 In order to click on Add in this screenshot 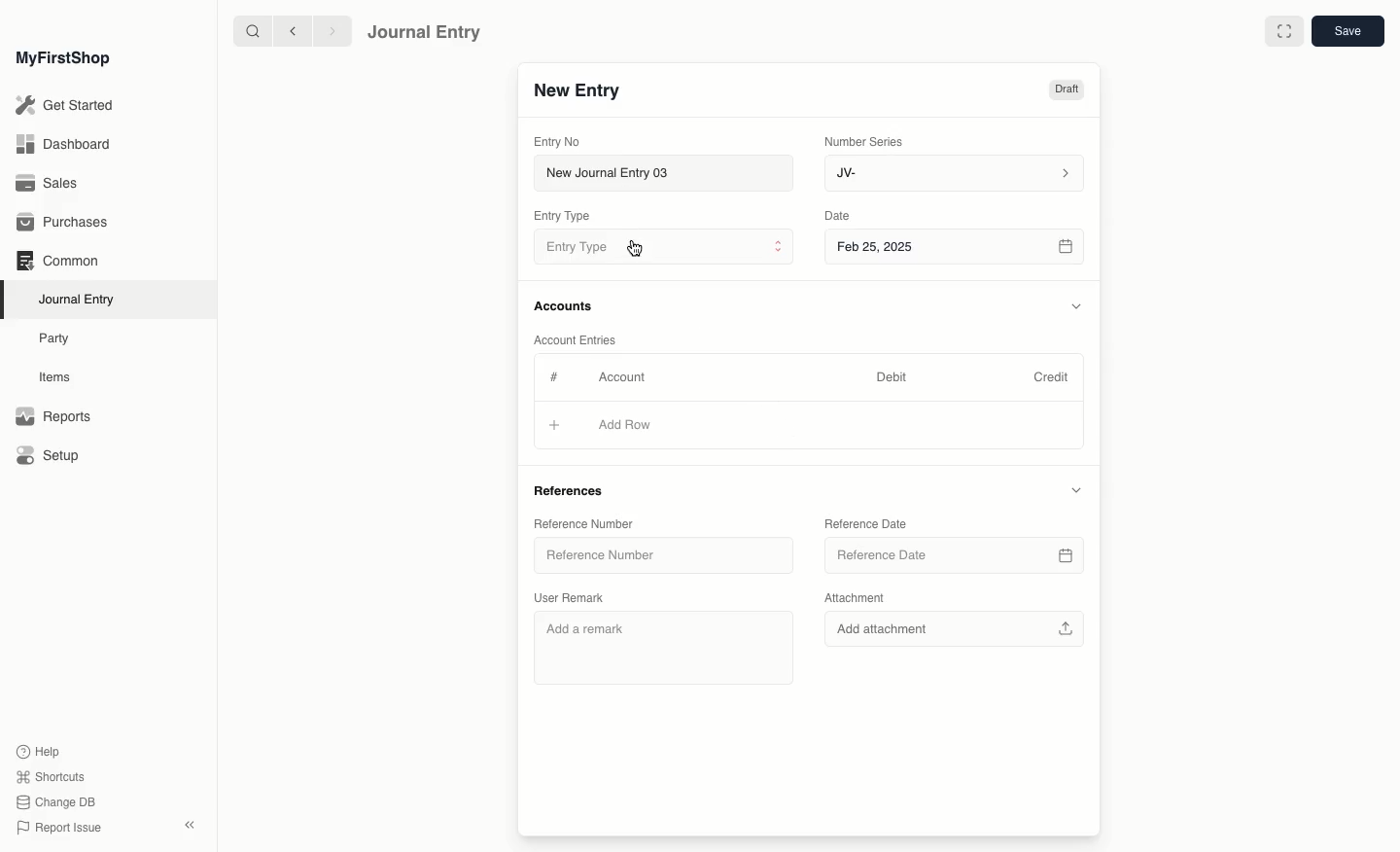, I will do `click(558, 427)`.